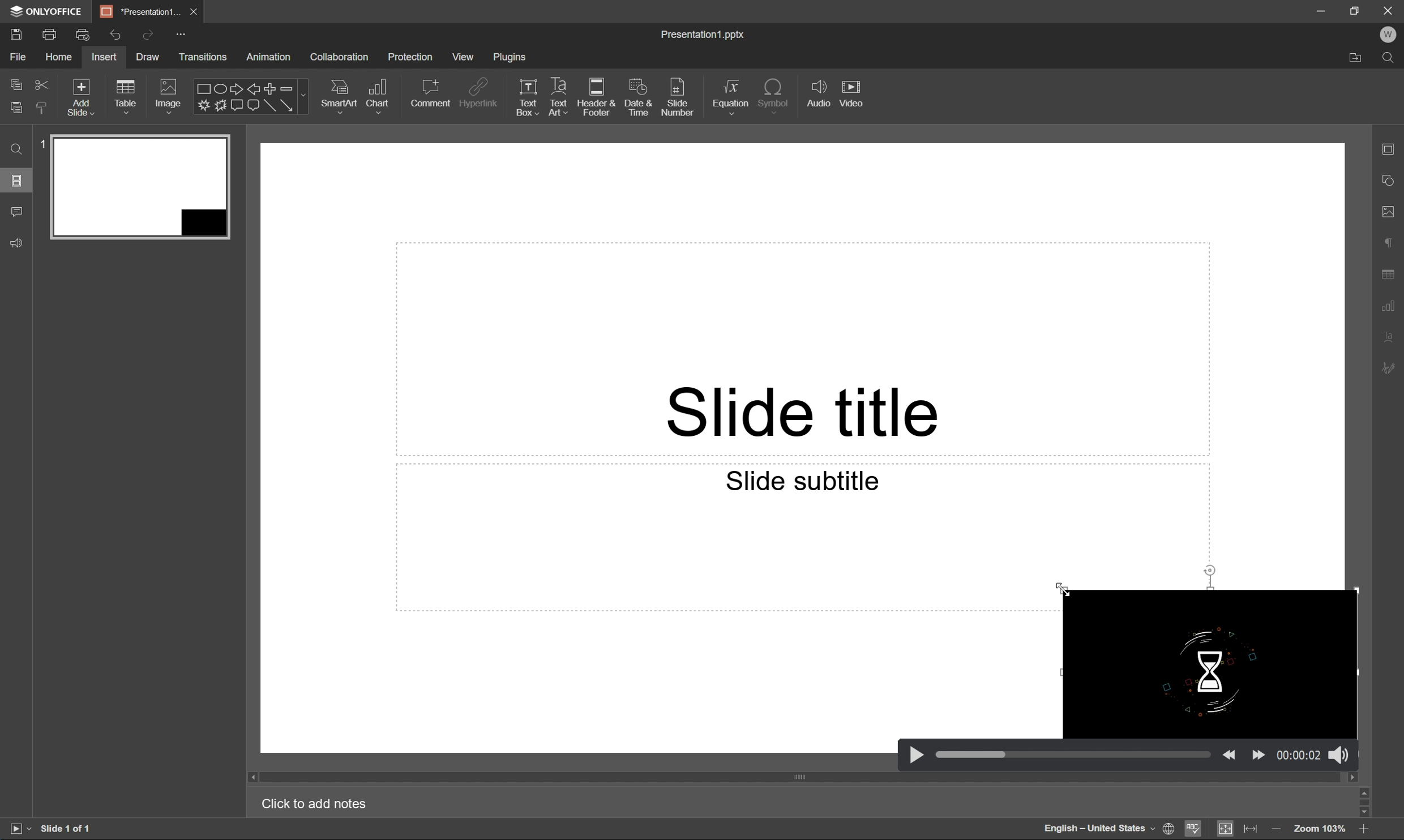 This screenshot has width=1404, height=840. What do you see at coordinates (1391, 368) in the screenshot?
I see `signature settings` at bounding box center [1391, 368].